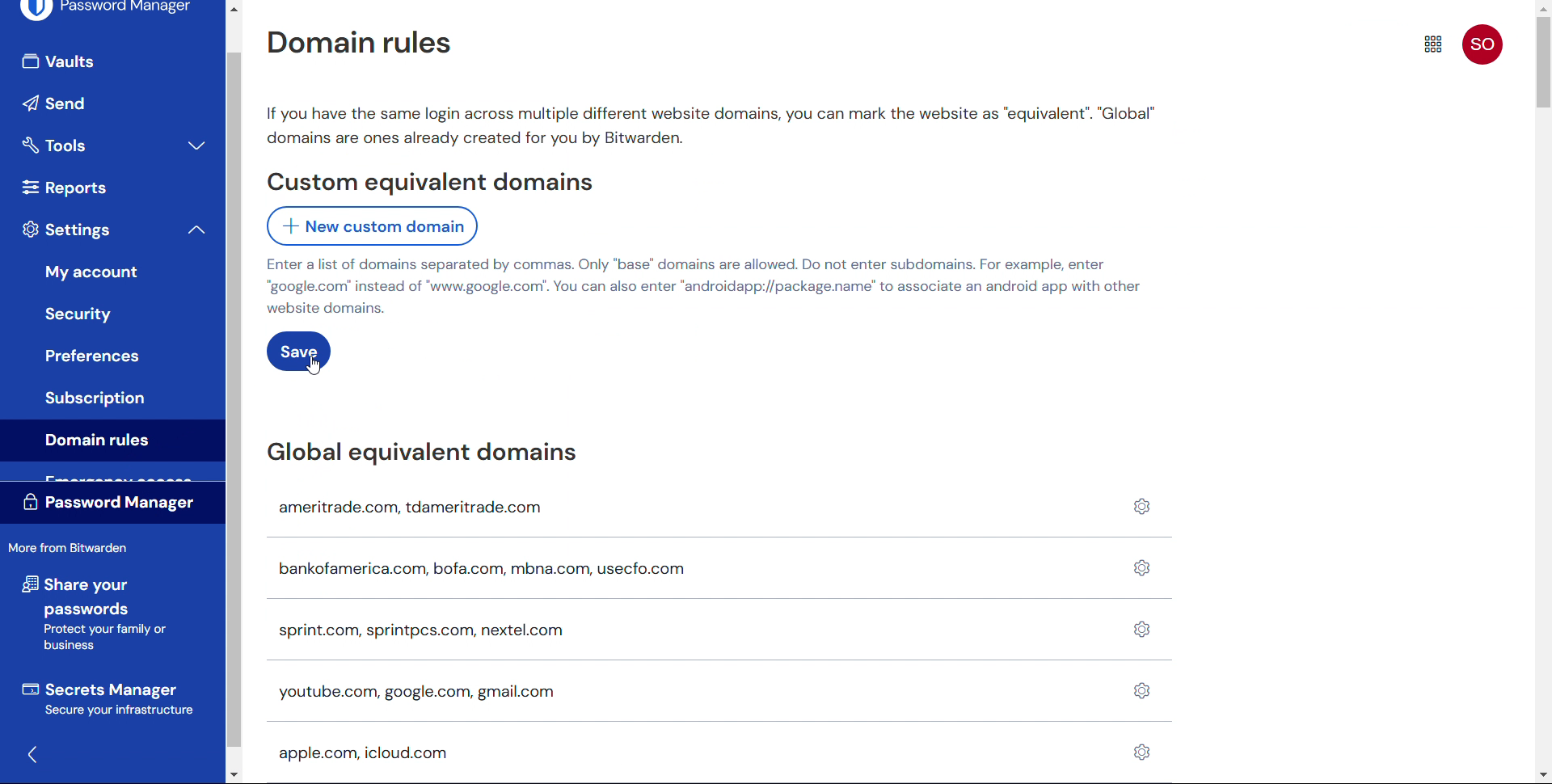 This screenshot has width=1552, height=784. Describe the element at coordinates (233, 7) in the screenshot. I see `Scroll up ` at that location.